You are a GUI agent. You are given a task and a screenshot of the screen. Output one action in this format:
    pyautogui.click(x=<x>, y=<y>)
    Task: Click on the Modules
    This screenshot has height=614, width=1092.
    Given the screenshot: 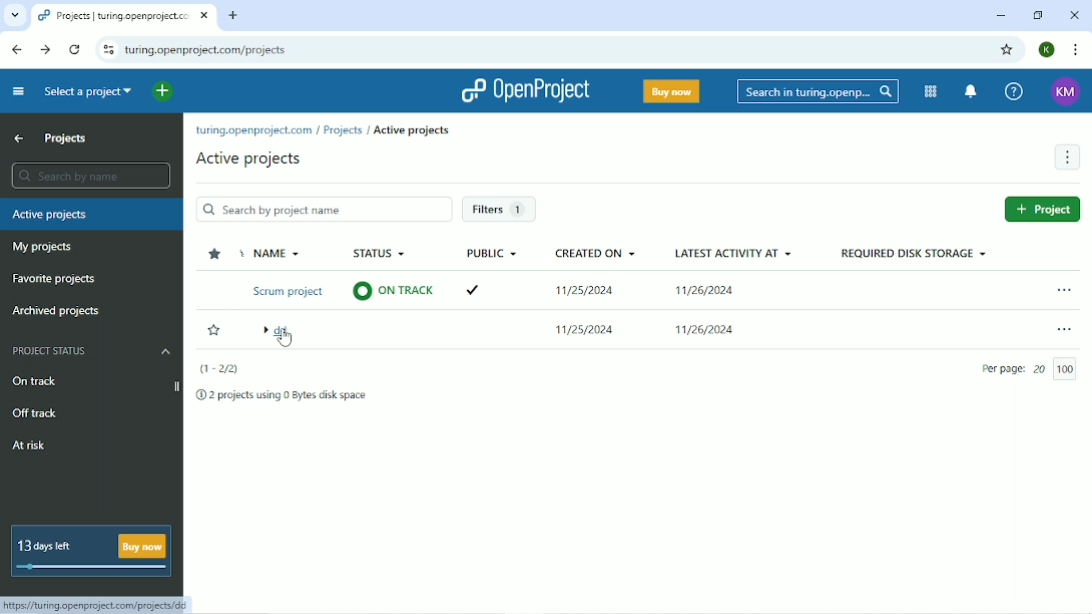 What is the action you would take?
    pyautogui.click(x=929, y=91)
    